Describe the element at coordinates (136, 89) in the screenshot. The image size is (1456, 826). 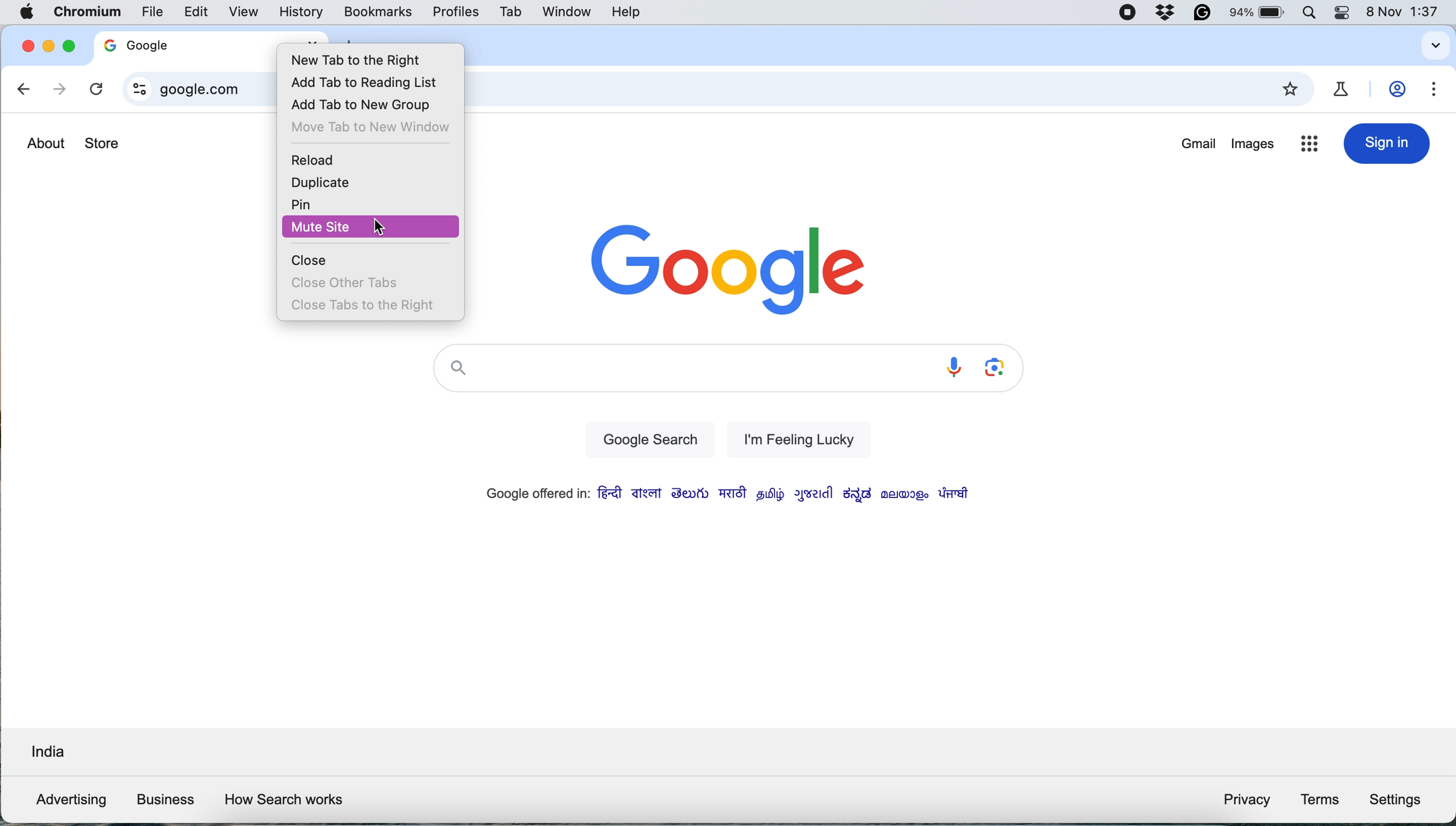
I see `view site information` at that location.